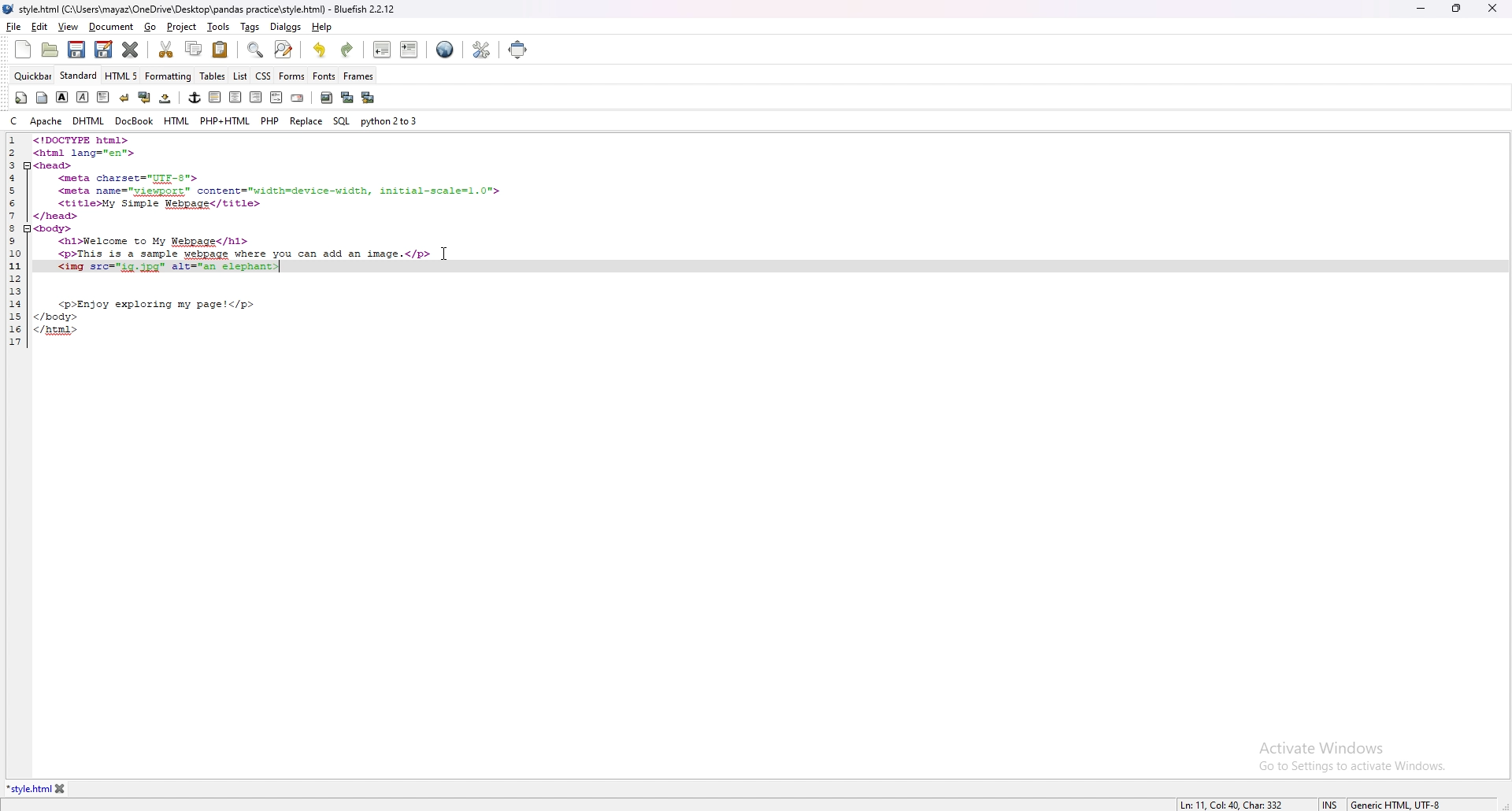 This screenshot has height=811, width=1512. What do you see at coordinates (1494, 8) in the screenshot?
I see `close` at bounding box center [1494, 8].